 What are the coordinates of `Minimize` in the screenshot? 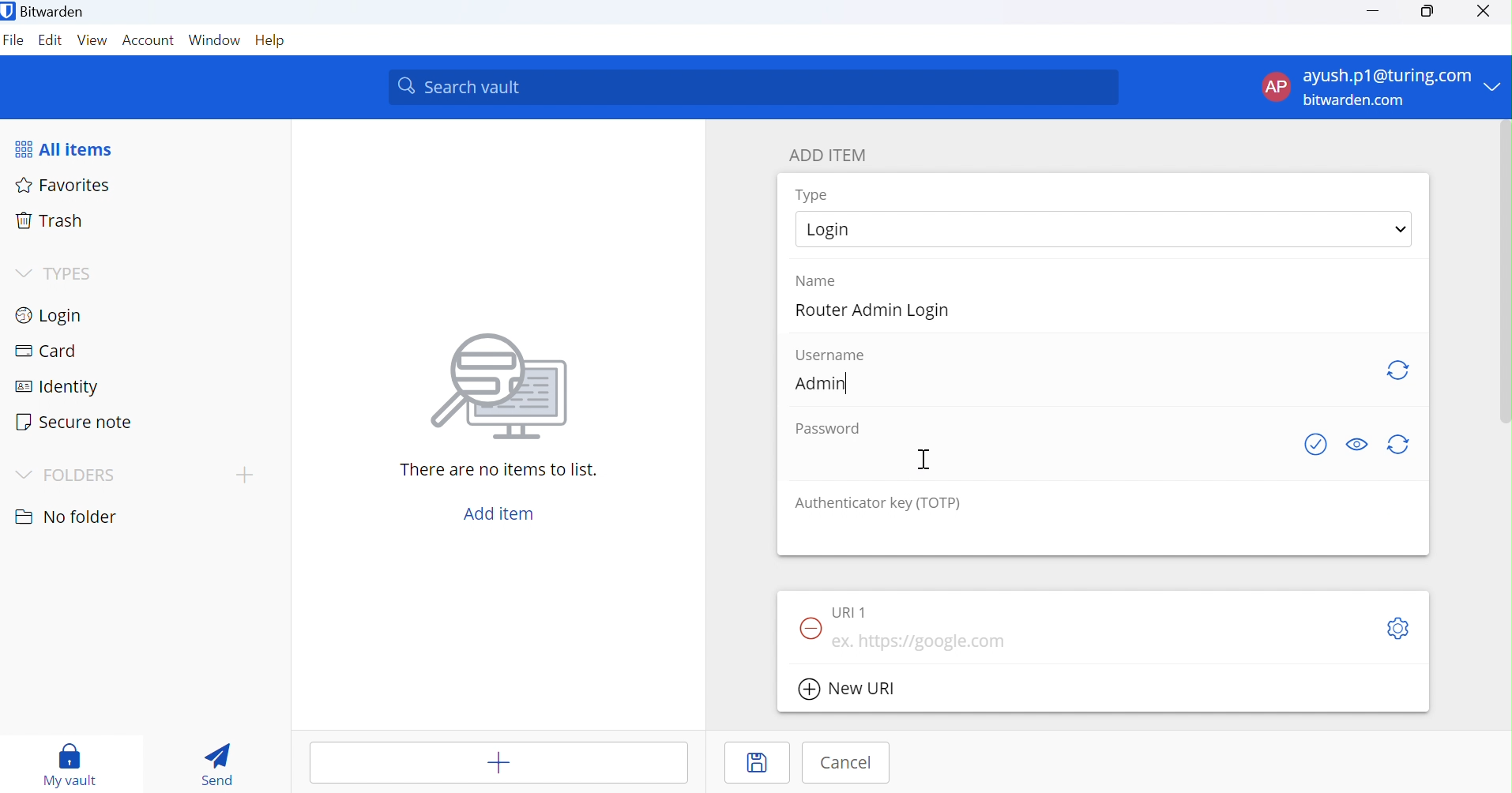 It's located at (1374, 11).